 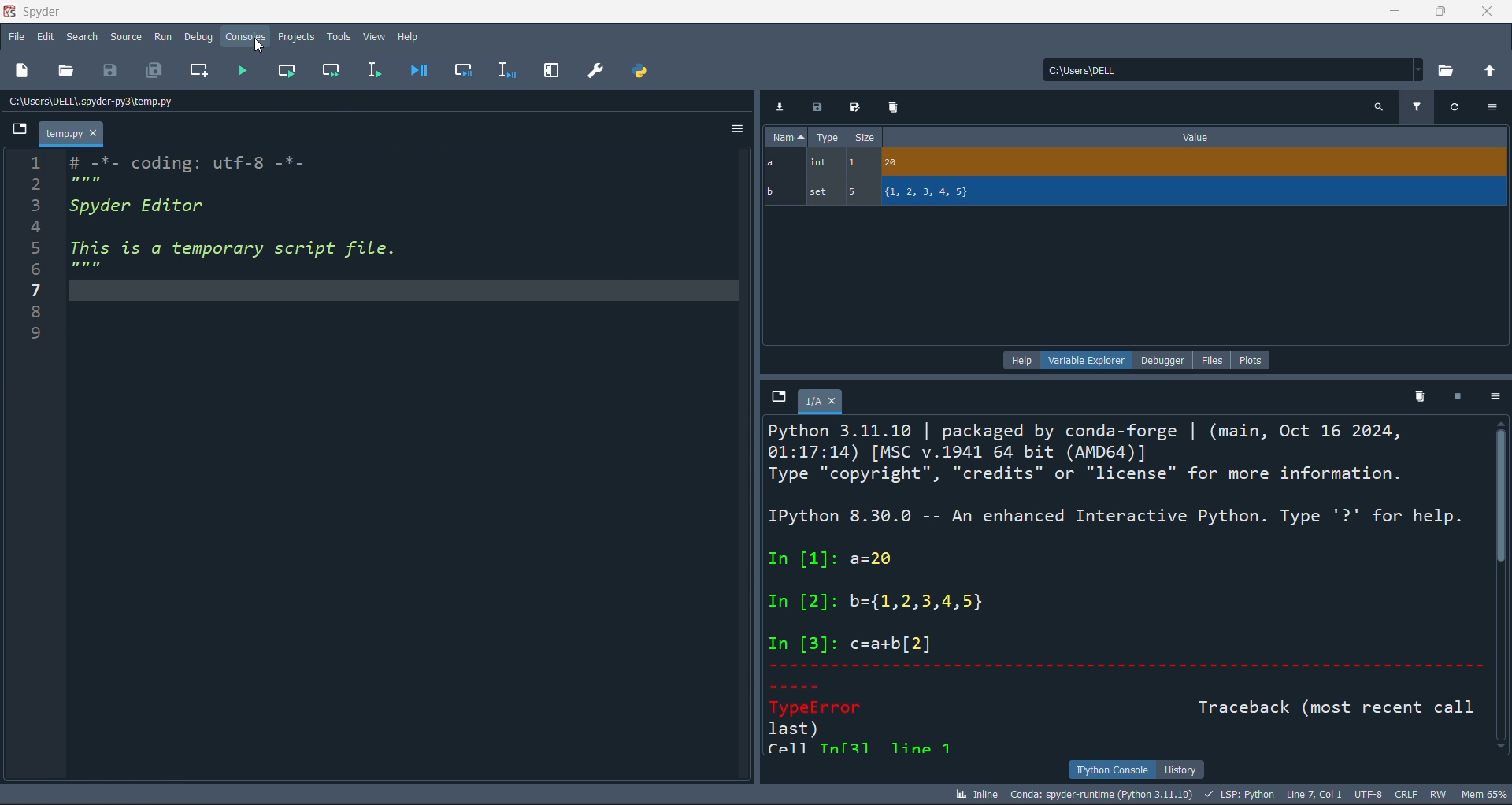 What do you see at coordinates (1203, 136) in the screenshot?
I see `value` at bounding box center [1203, 136].